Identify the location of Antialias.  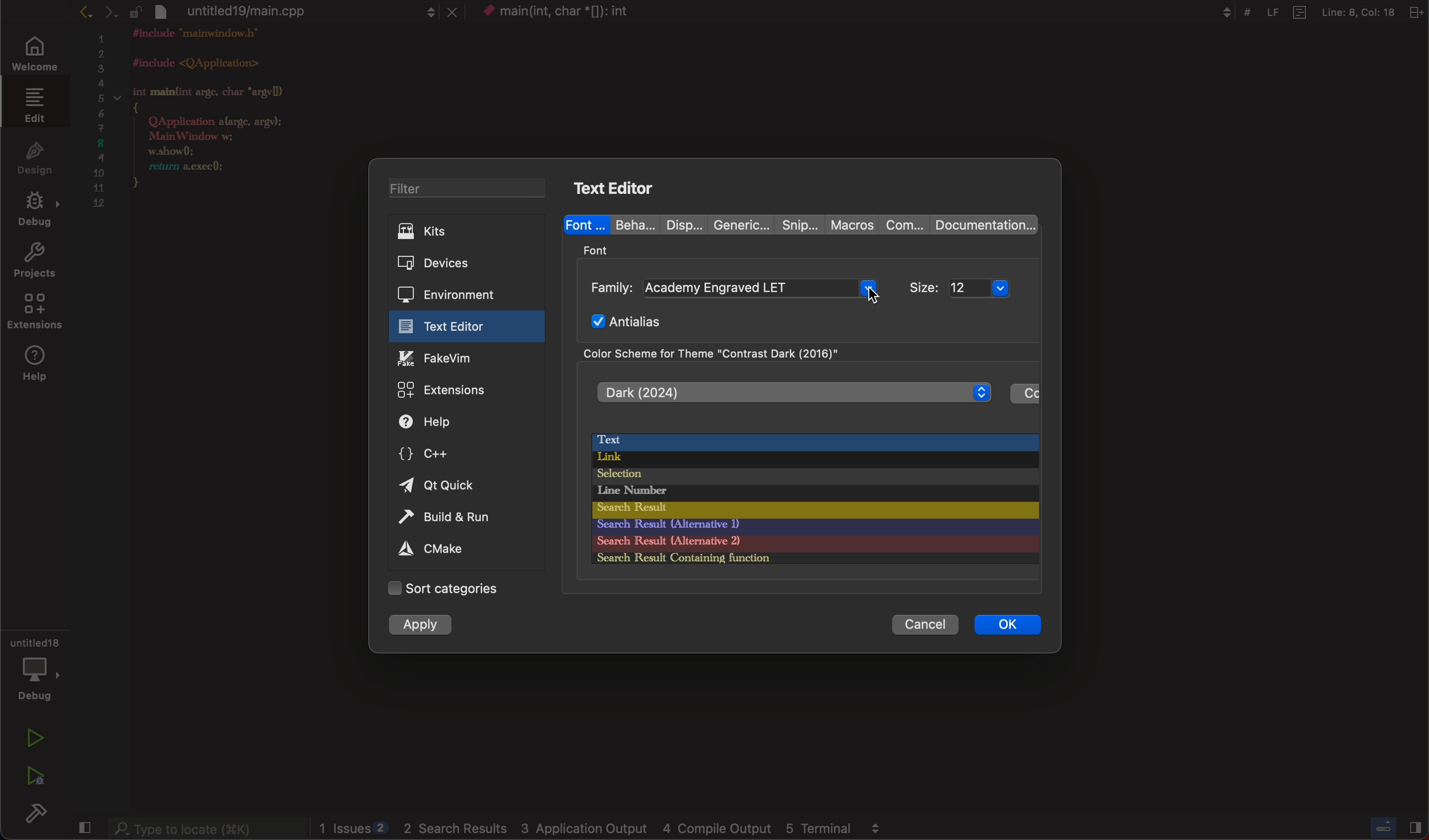
(631, 320).